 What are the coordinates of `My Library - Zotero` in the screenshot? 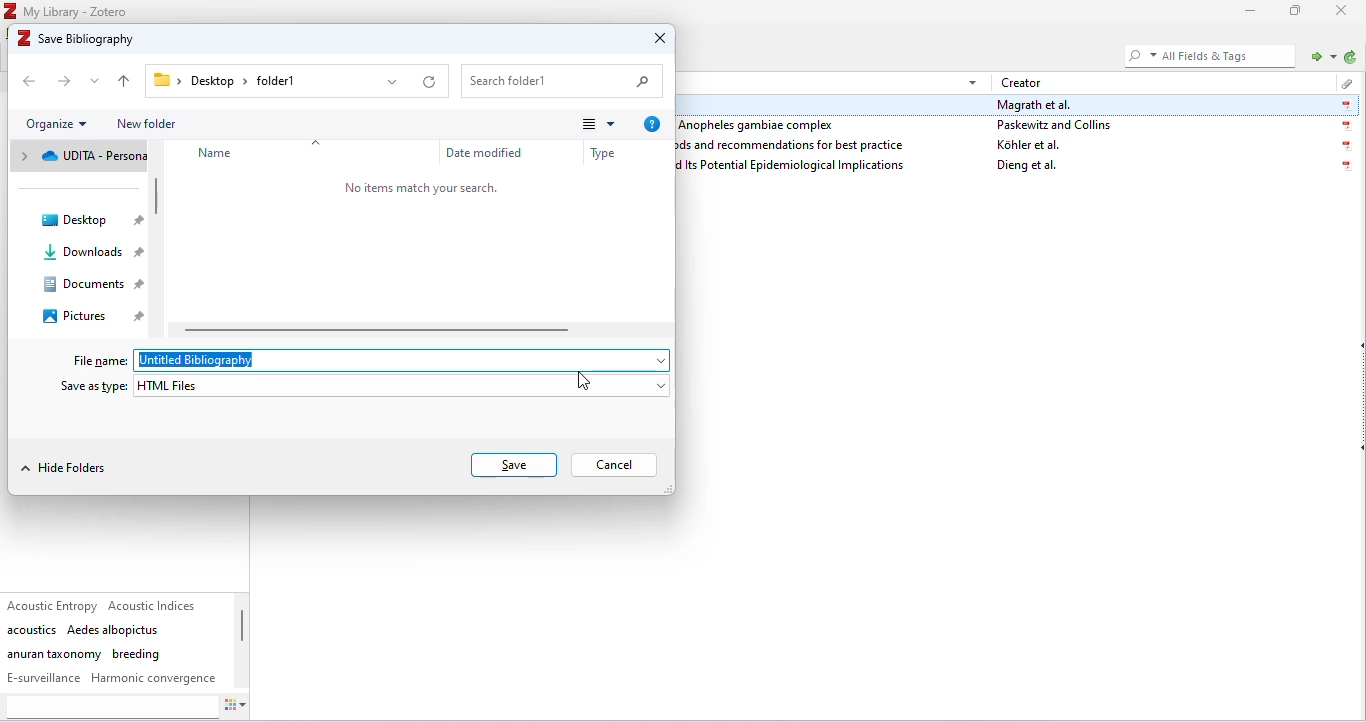 It's located at (78, 11).